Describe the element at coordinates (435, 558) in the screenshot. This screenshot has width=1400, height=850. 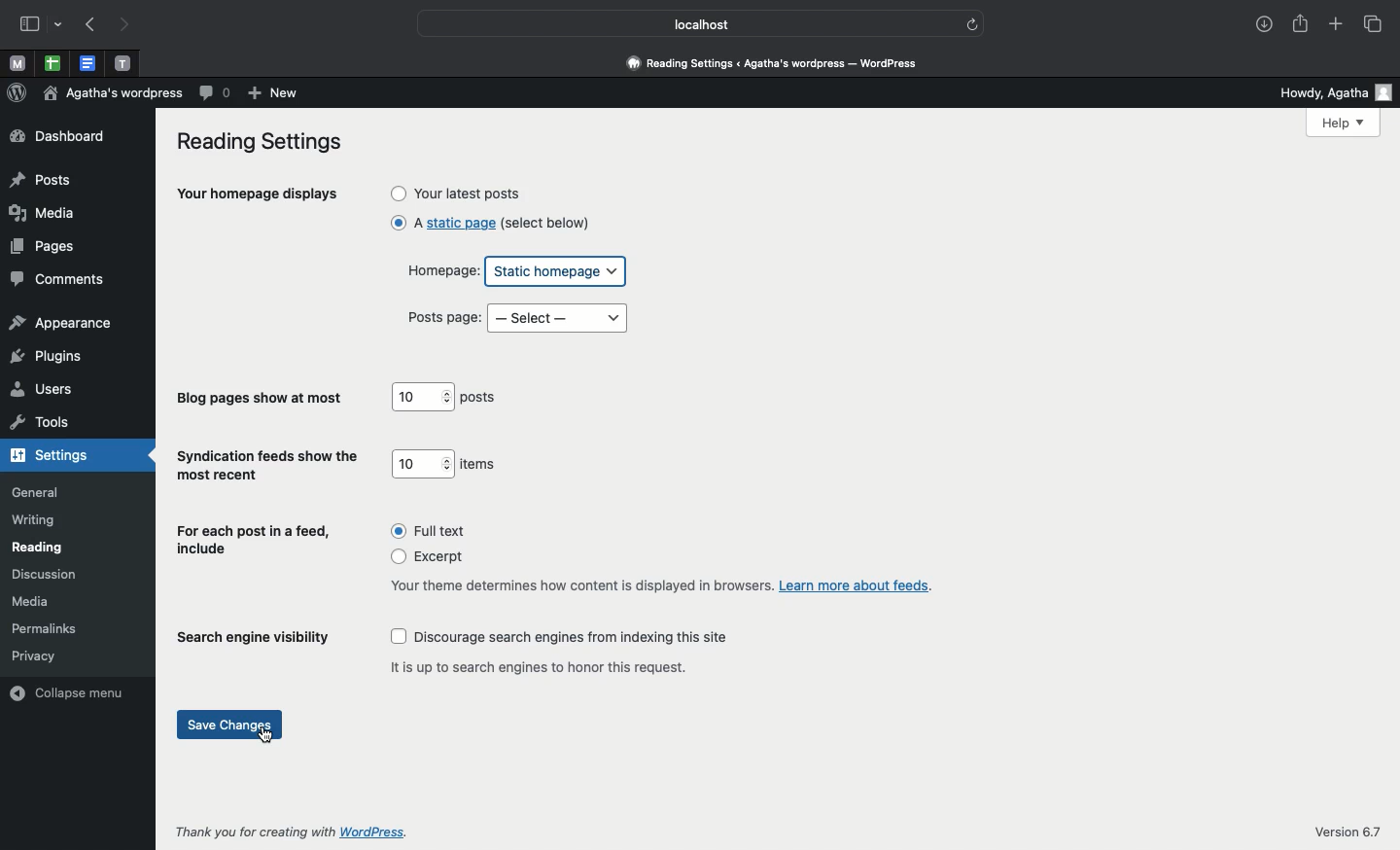
I see `Excerpt` at that location.